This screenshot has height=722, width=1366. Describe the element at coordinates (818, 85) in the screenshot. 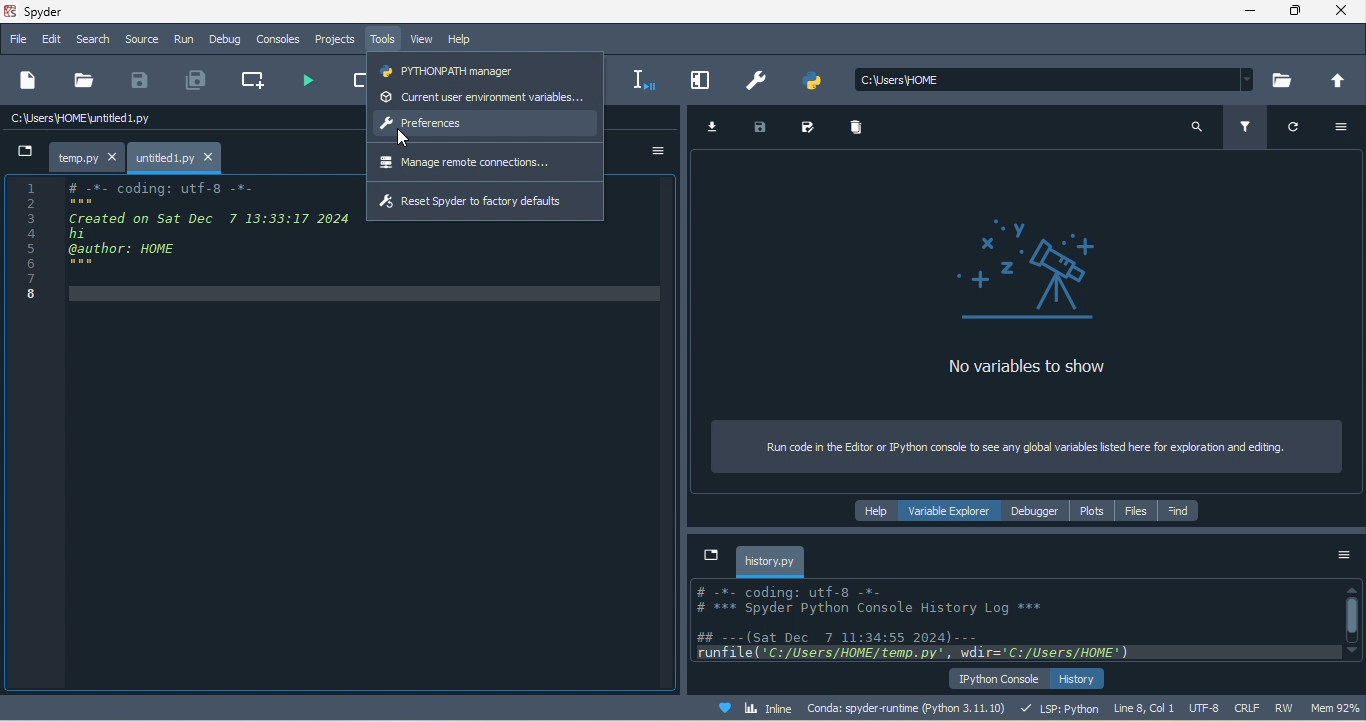

I see `pythonpath manager` at that location.